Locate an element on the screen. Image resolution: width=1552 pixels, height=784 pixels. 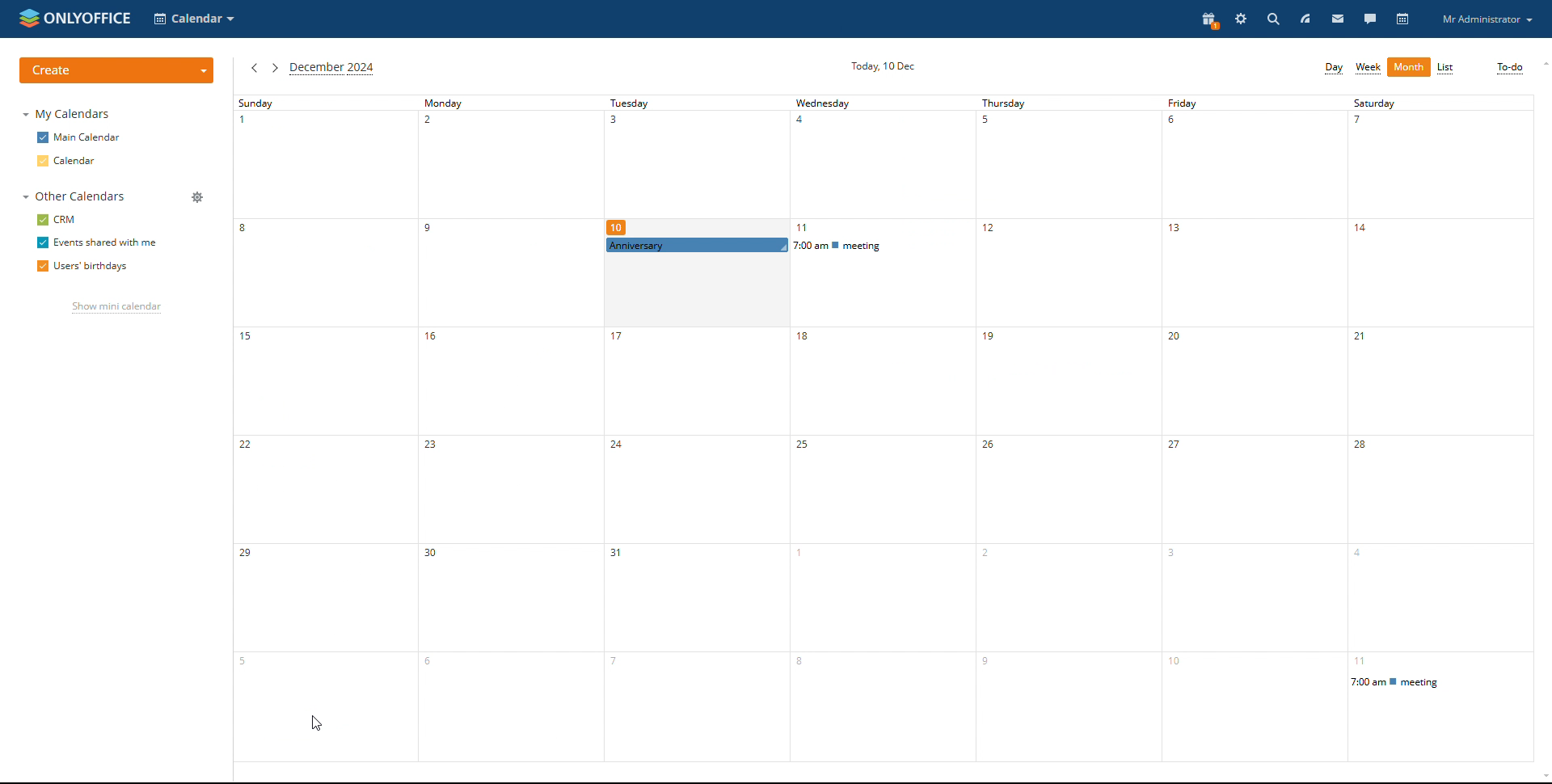
monday is located at coordinates (502, 428).